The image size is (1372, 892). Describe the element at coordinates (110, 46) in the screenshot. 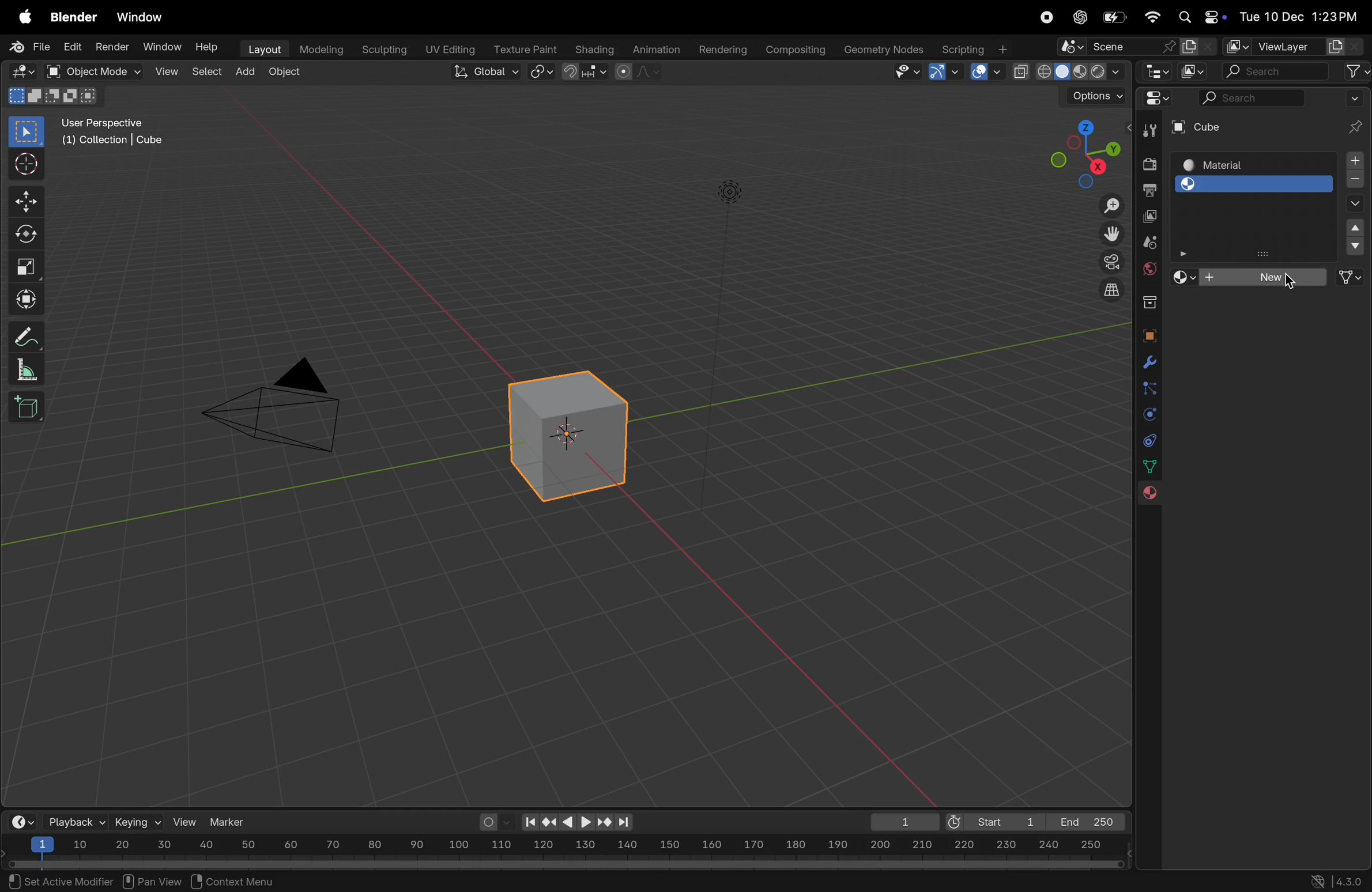

I see `render` at that location.